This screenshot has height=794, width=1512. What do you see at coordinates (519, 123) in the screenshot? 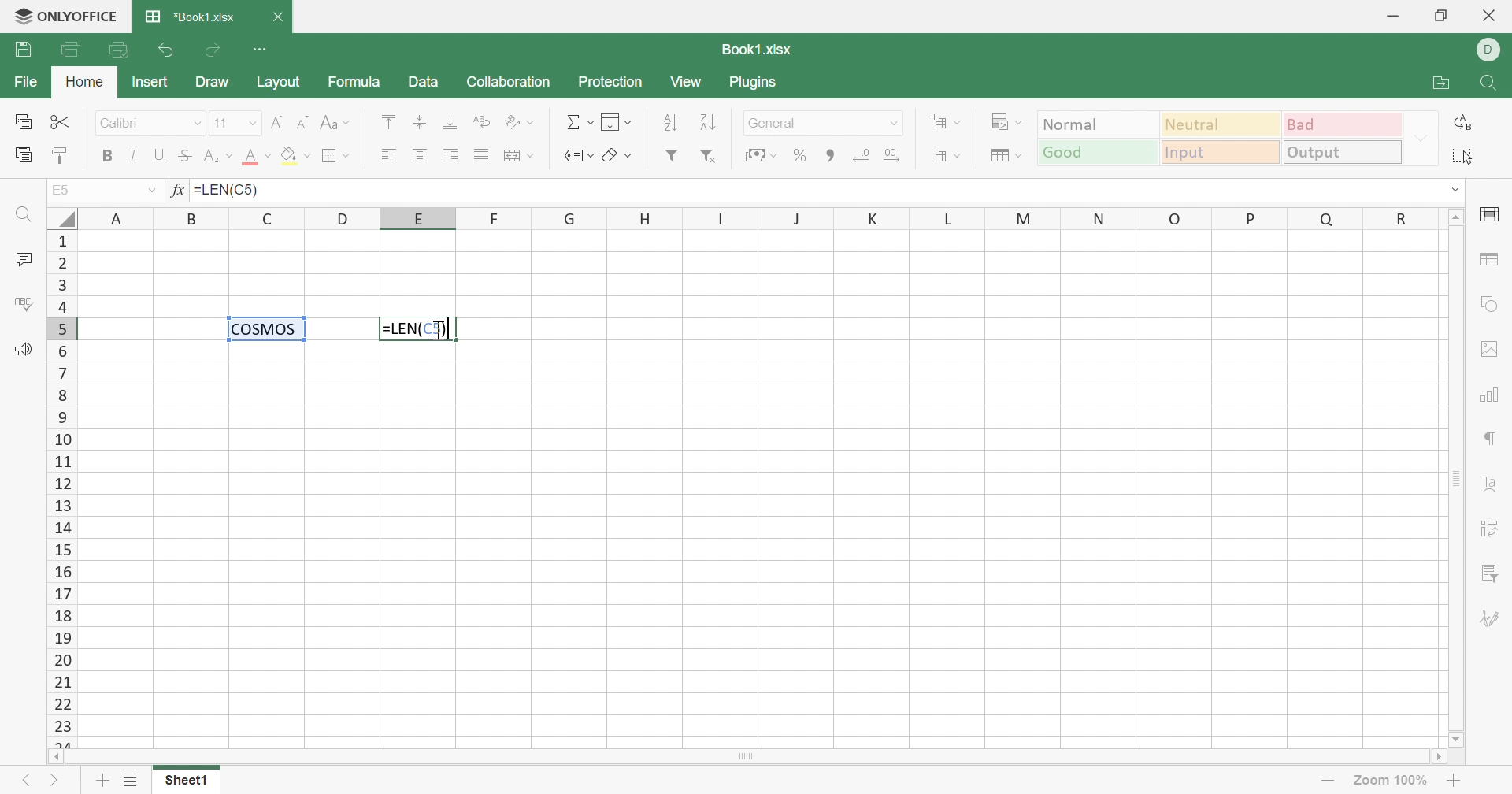
I see `Orientation` at bounding box center [519, 123].